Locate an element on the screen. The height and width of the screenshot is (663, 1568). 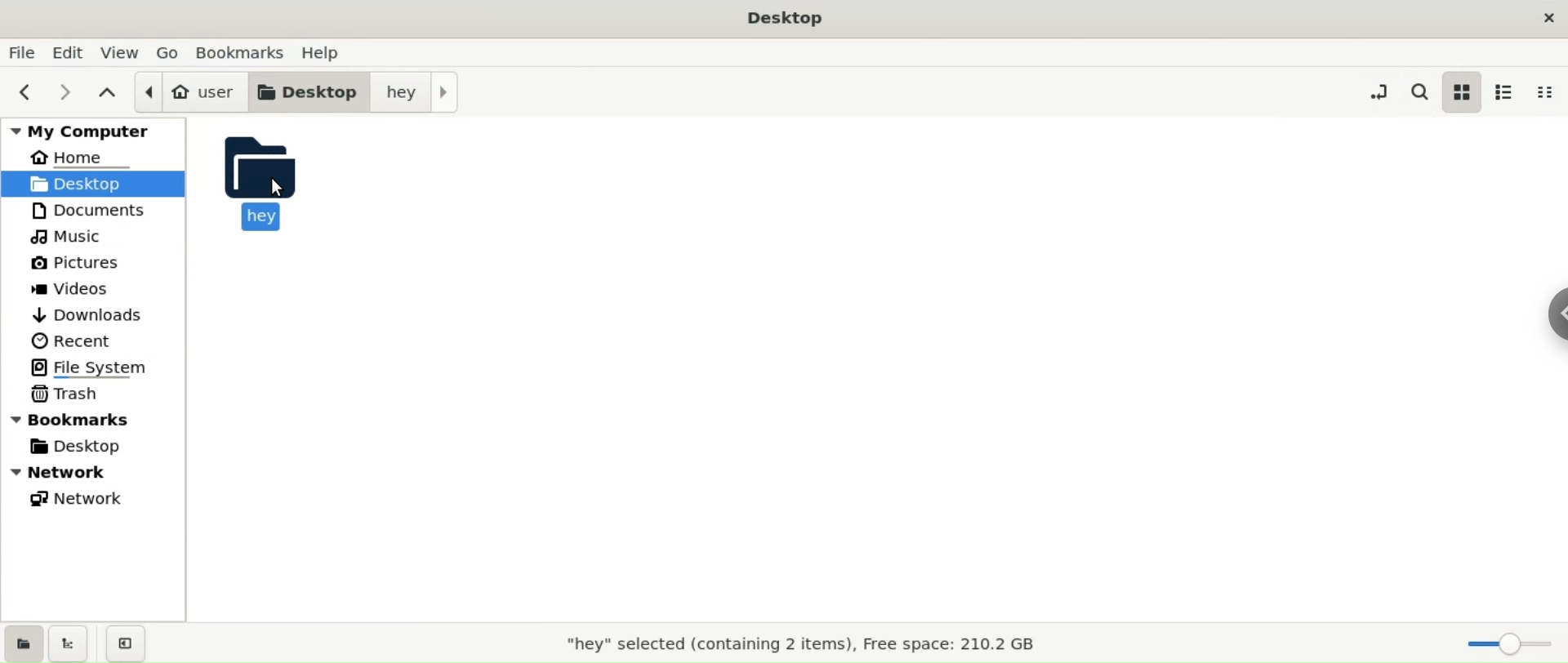
previous is located at coordinates (26, 93).